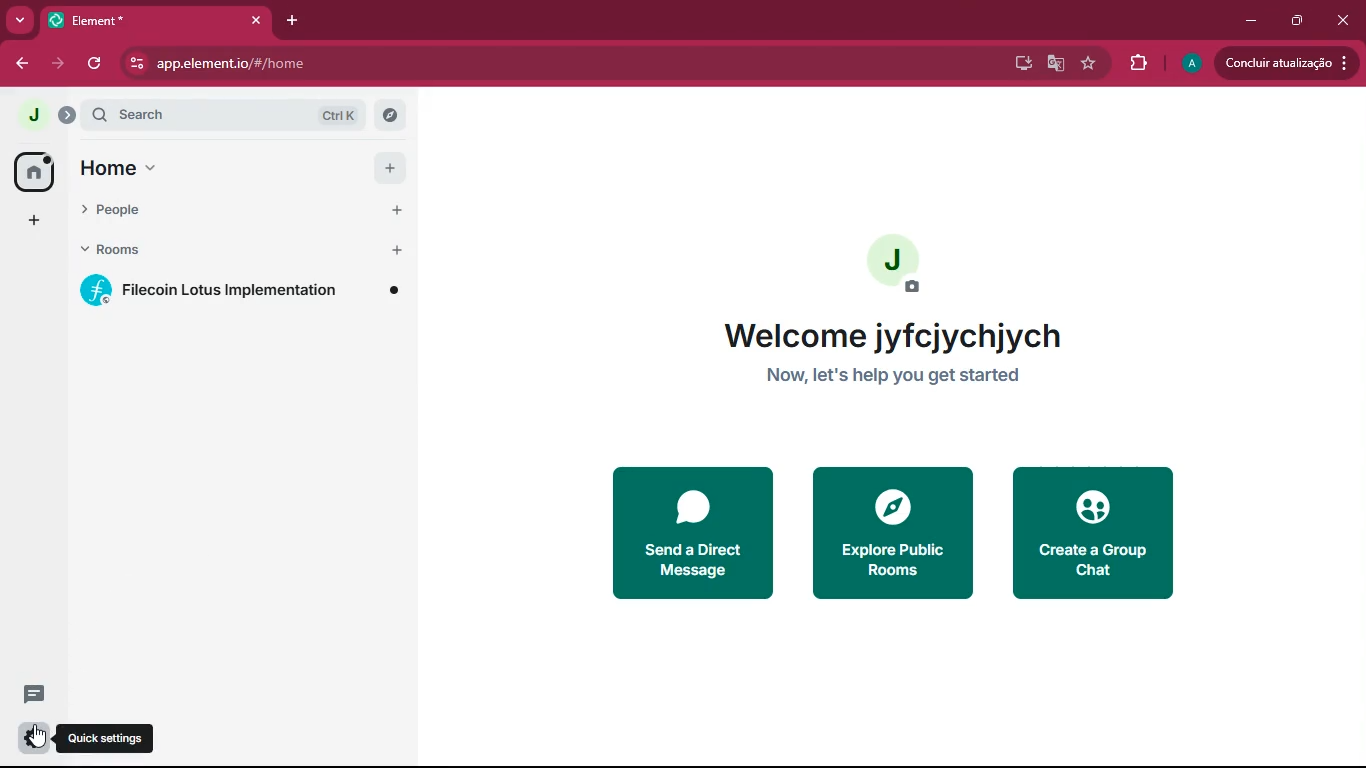 The width and height of the screenshot is (1366, 768). What do you see at coordinates (32, 736) in the screenshot?
I see `settings` at bounding box center [32, 736].